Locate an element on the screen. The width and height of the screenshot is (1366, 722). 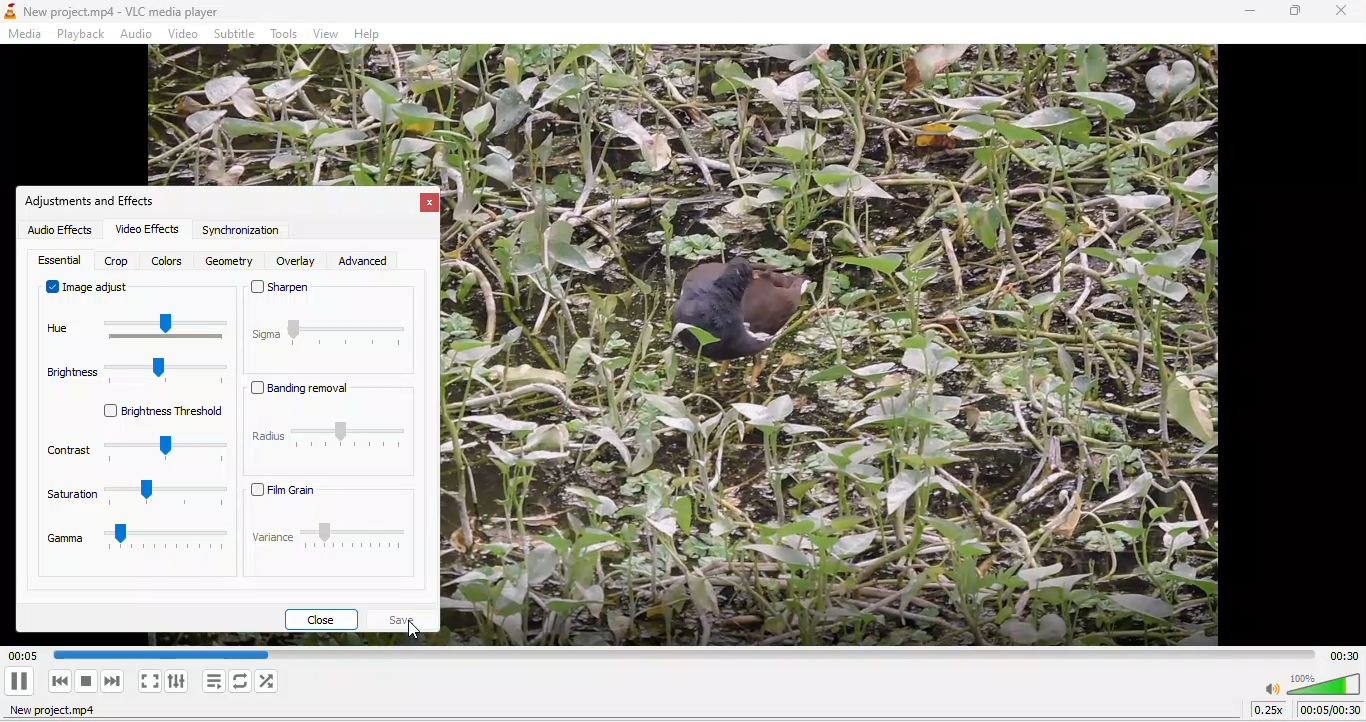
subtitle is located at coordinates (236, 33).